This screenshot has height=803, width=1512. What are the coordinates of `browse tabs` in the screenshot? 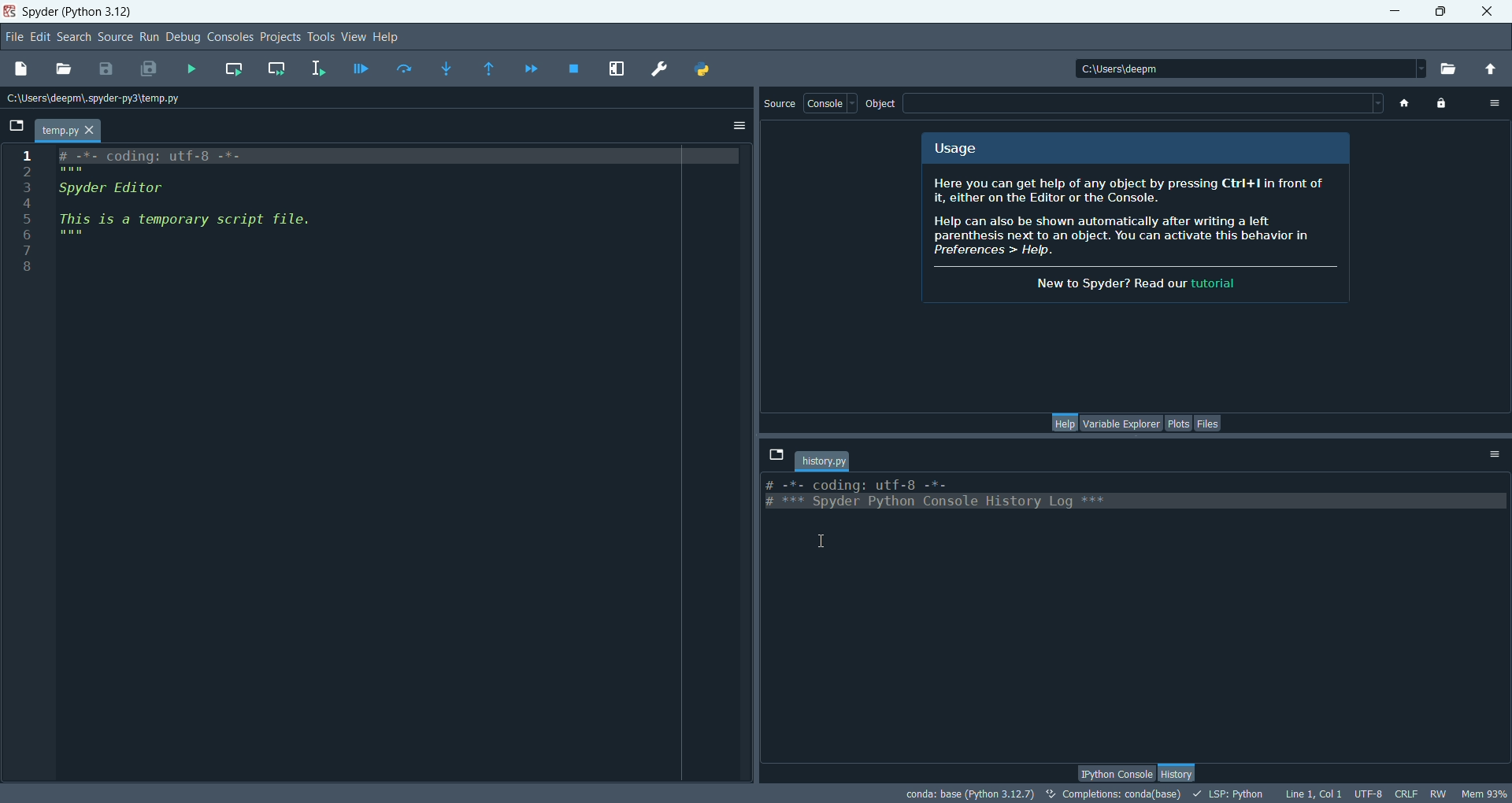 It's located at (16, 128).